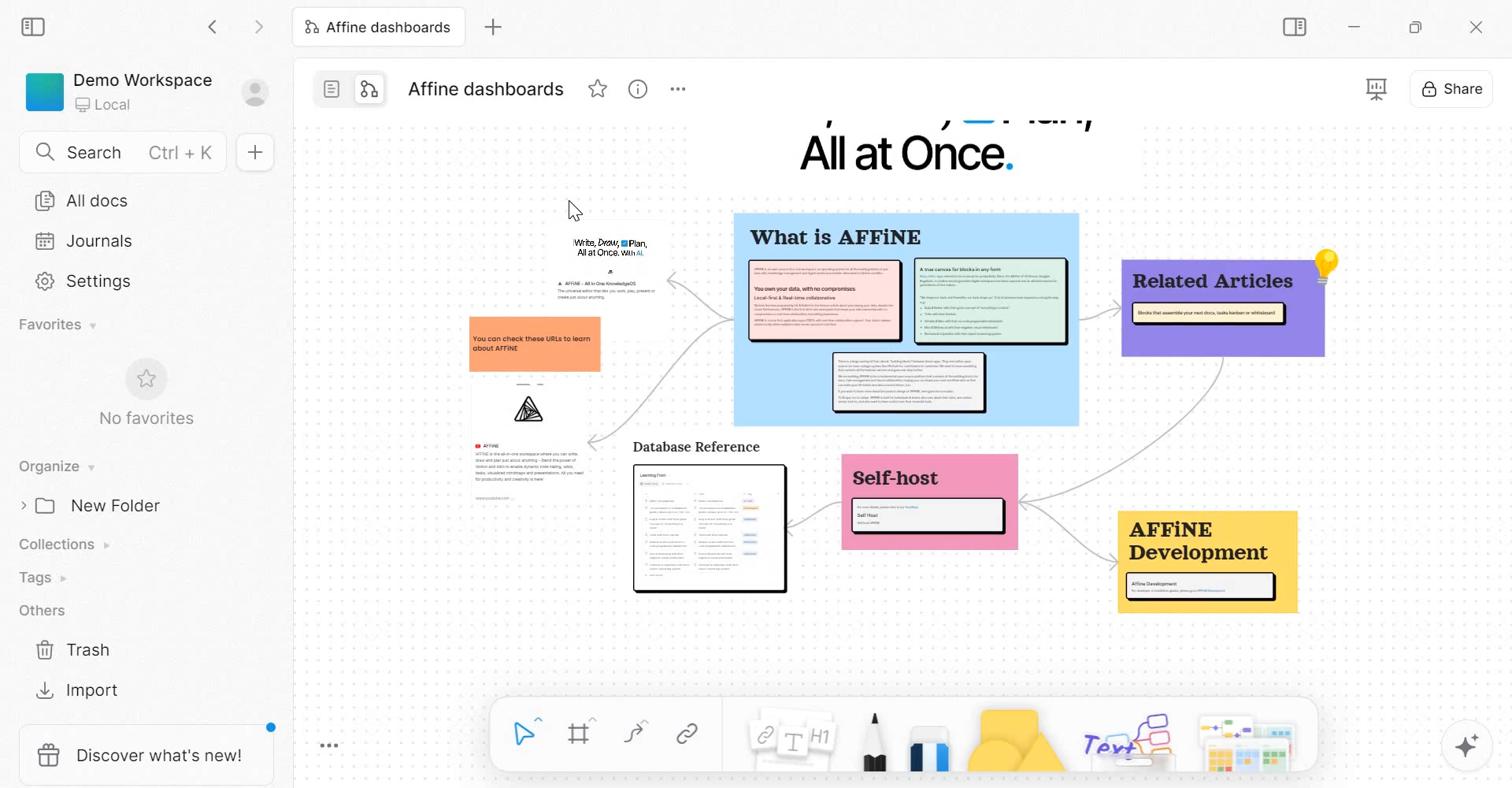 This screenshot has height=788, width=1512. What do you see at coordinates (138, 200) in the screenshot?
I see `All docs` at bounding box center [138, 200].